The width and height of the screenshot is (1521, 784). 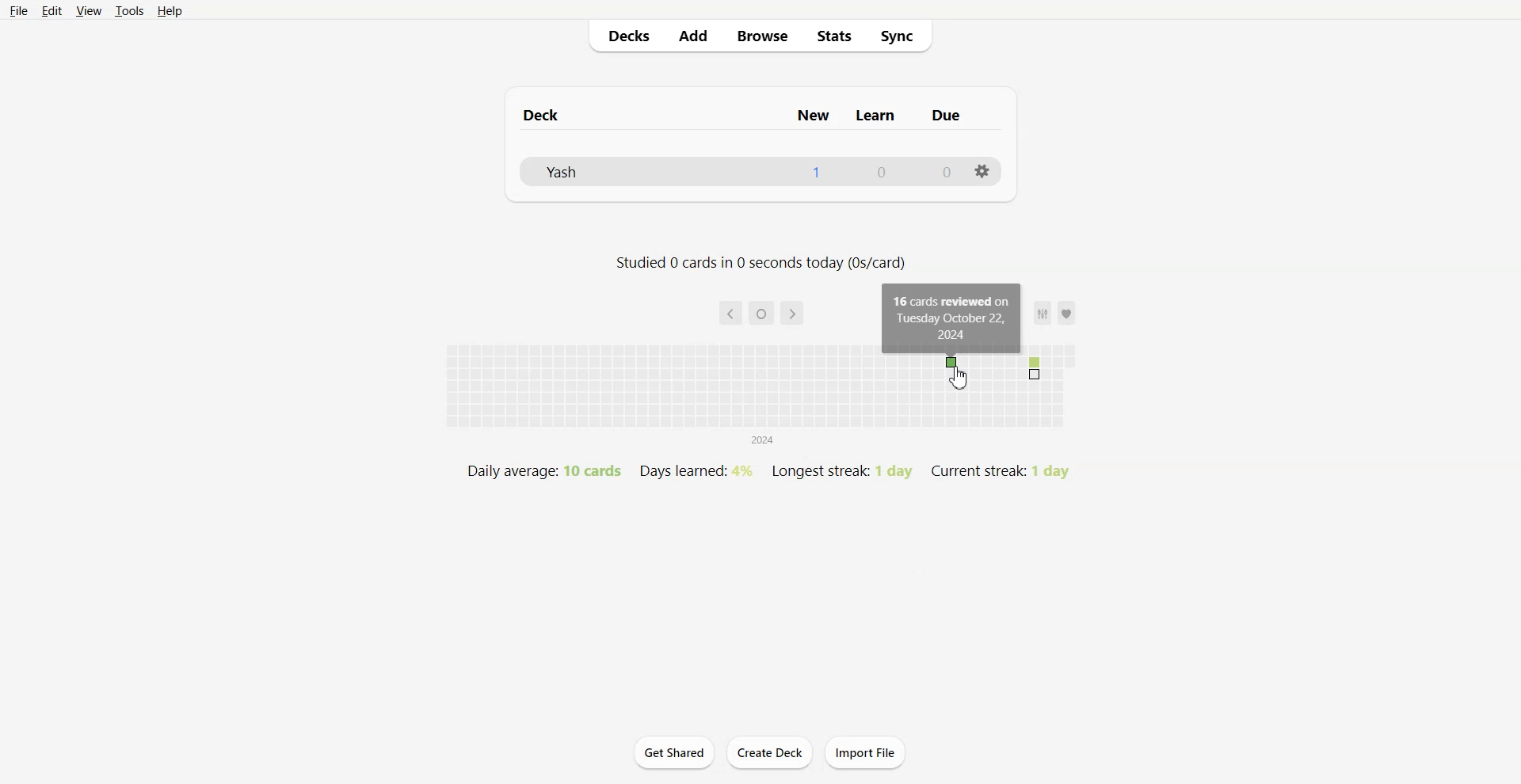 I want to click on Browse, so click(x=763, y=36).